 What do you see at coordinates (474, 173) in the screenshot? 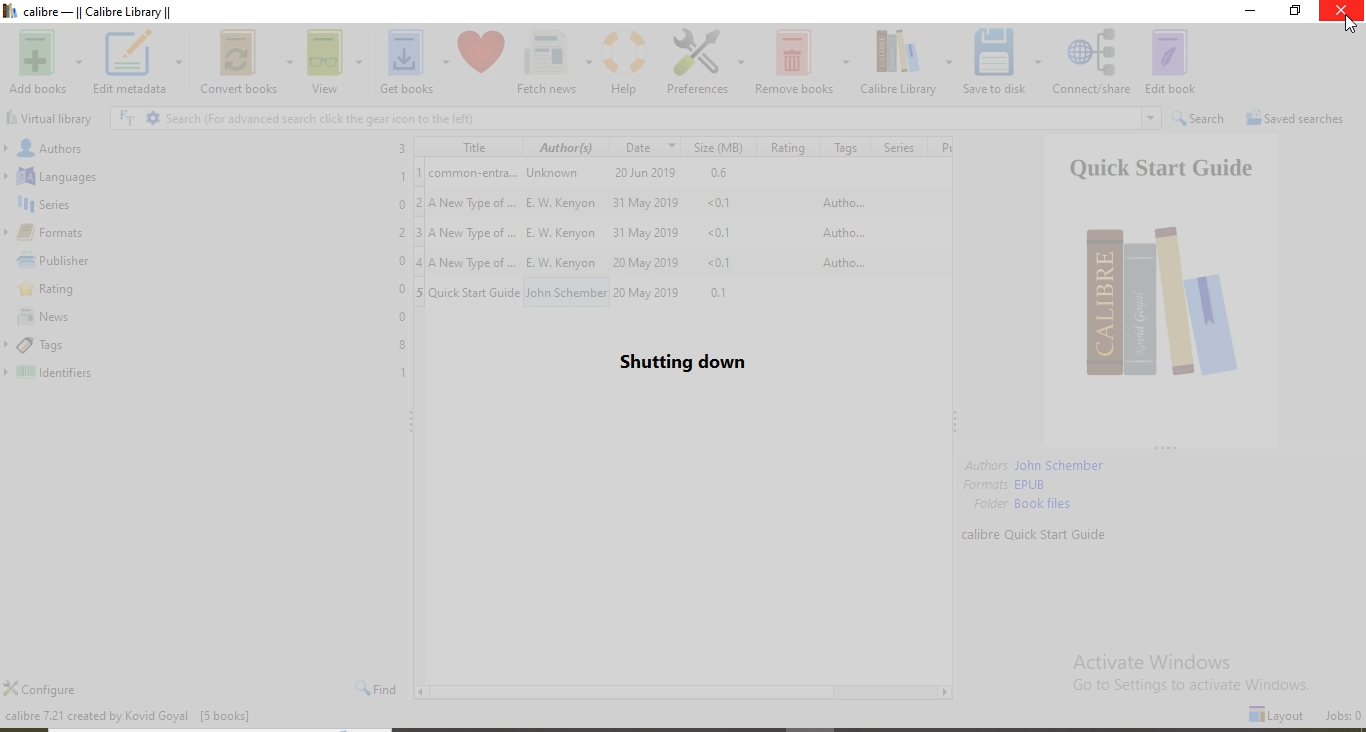
I see `common-entra...` at bounding box center [474, 173].